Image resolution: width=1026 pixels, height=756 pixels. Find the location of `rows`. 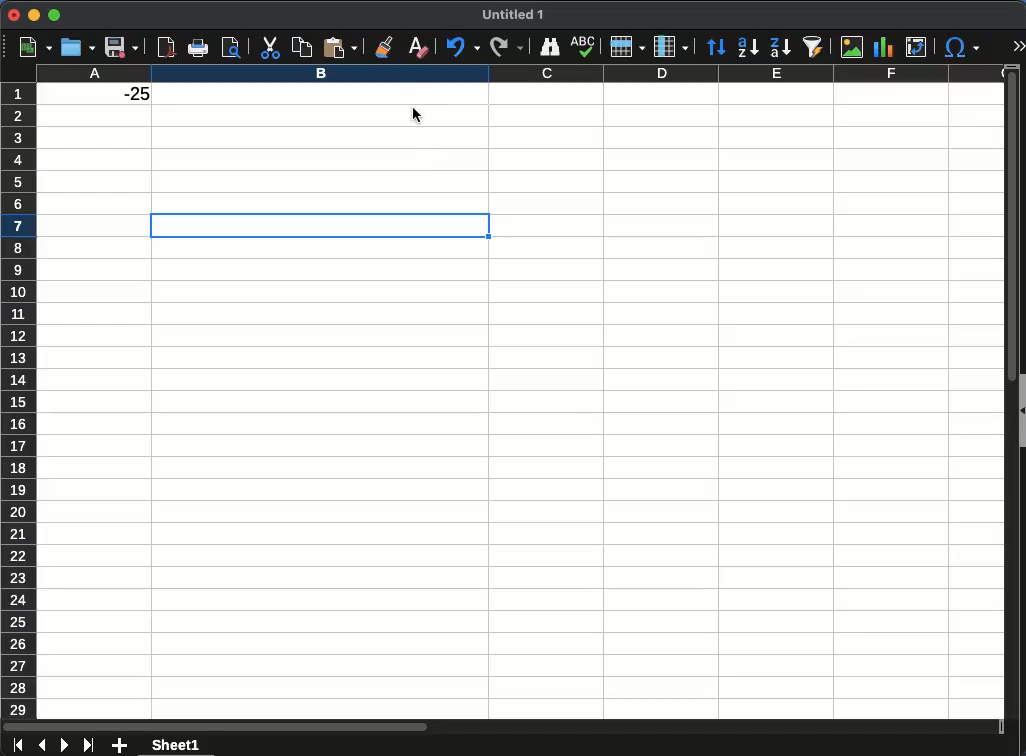

rows is located at coordinates (19, 397).